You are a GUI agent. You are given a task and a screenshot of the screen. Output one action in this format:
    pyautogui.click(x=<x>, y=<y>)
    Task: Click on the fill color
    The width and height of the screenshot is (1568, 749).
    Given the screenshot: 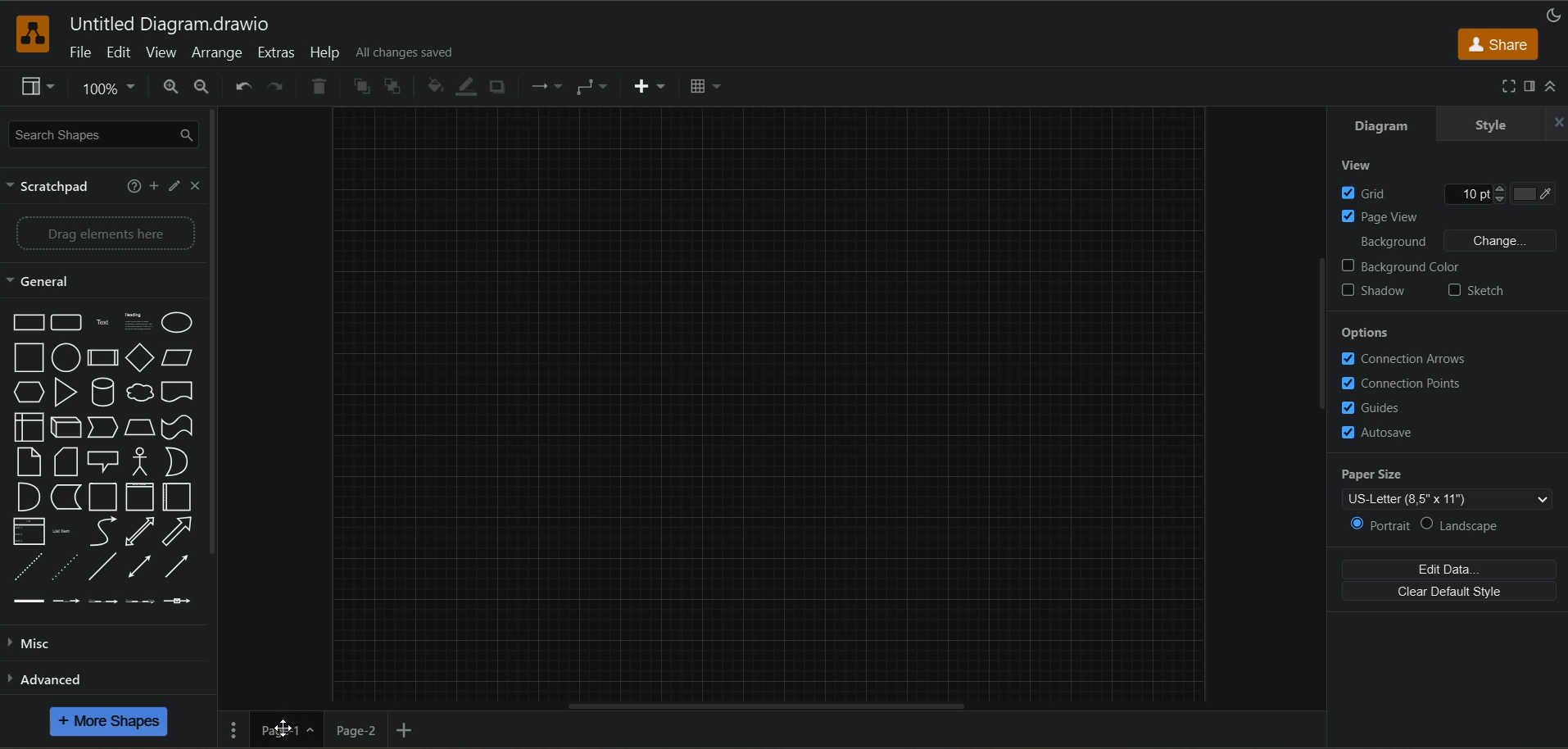 What is the action you would take?
    pyautogui.click(x=437, y=87)
    